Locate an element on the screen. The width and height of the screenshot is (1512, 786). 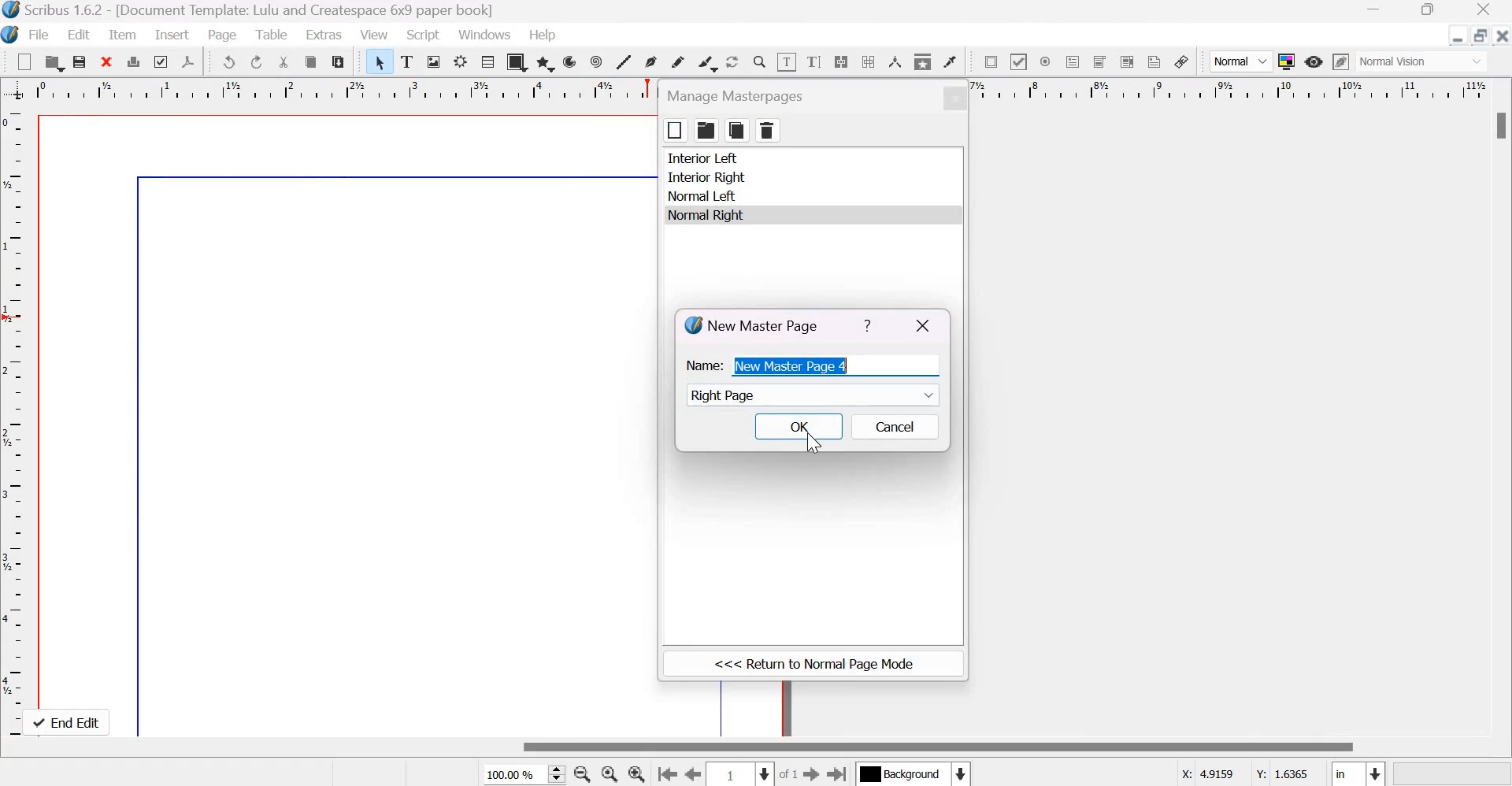
shapes is located at coordinates (516, 62).